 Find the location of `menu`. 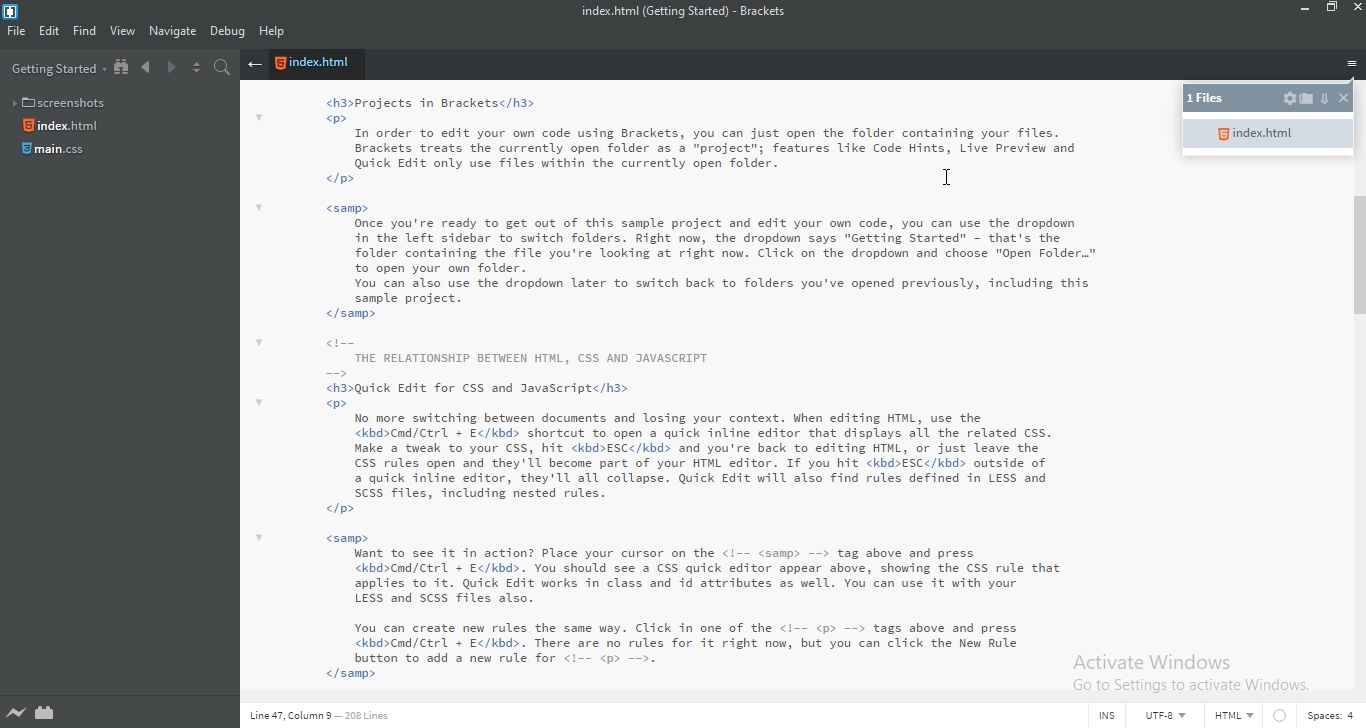

menu is located at coordinates (1352, 65).